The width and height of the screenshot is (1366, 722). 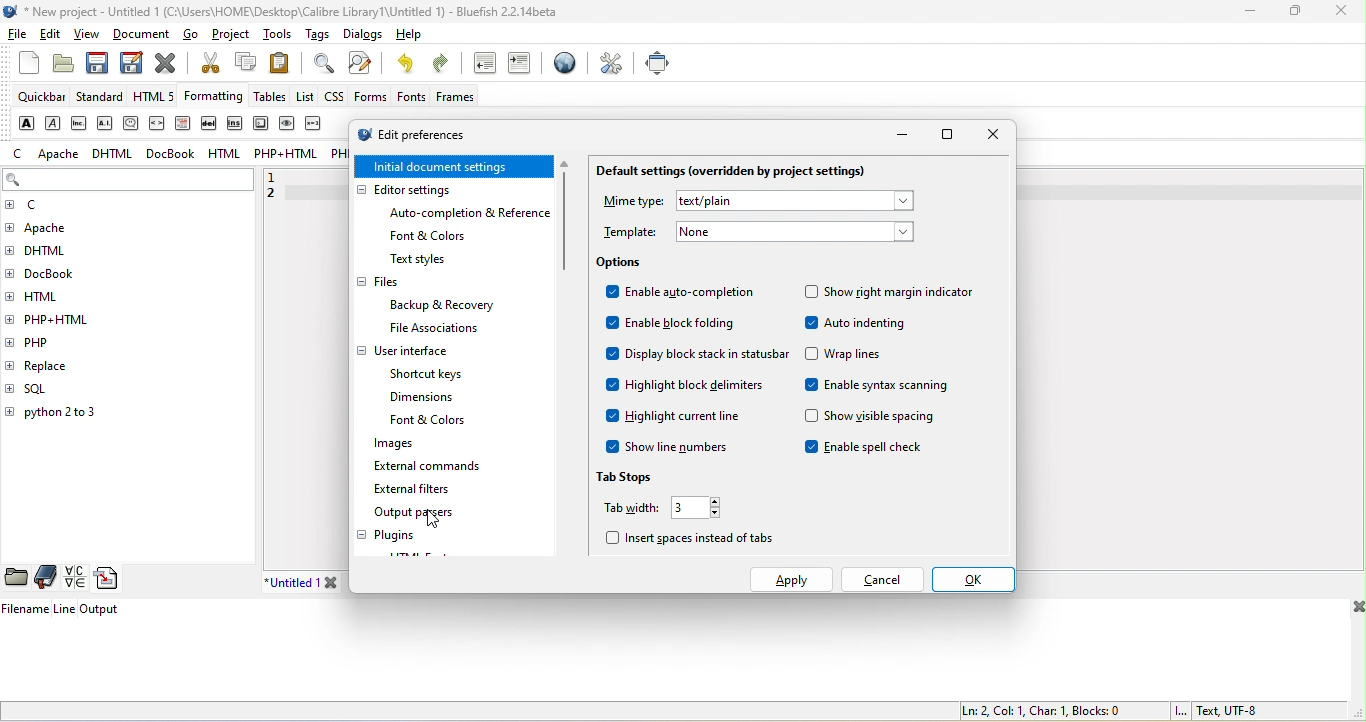 I want to click on output parsers, so click(x=432, y=514).